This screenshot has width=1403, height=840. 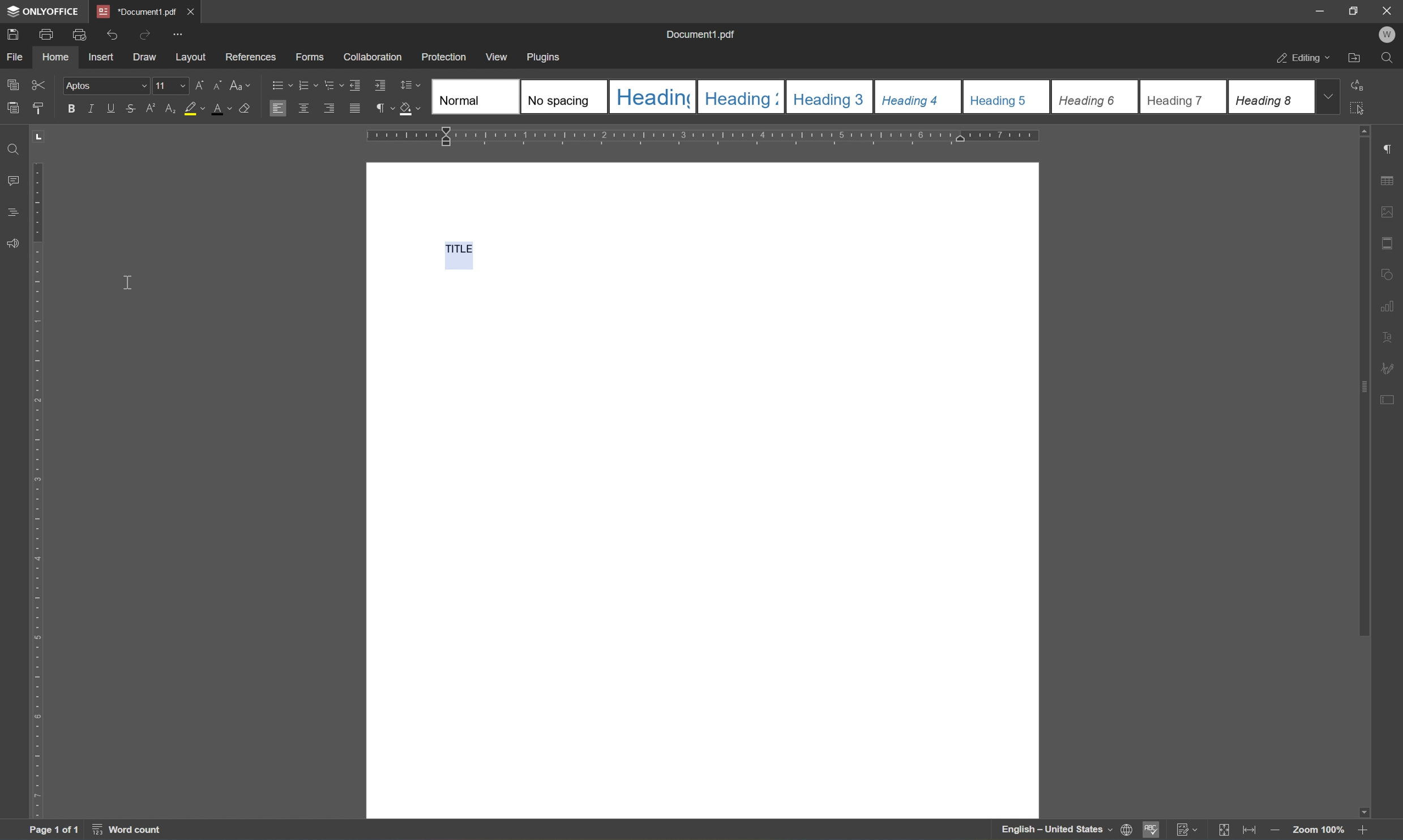 What do you see at coordinates (40, 140) in the screenshot?
I see `TAB STOP` at bounding box center [40, 140].